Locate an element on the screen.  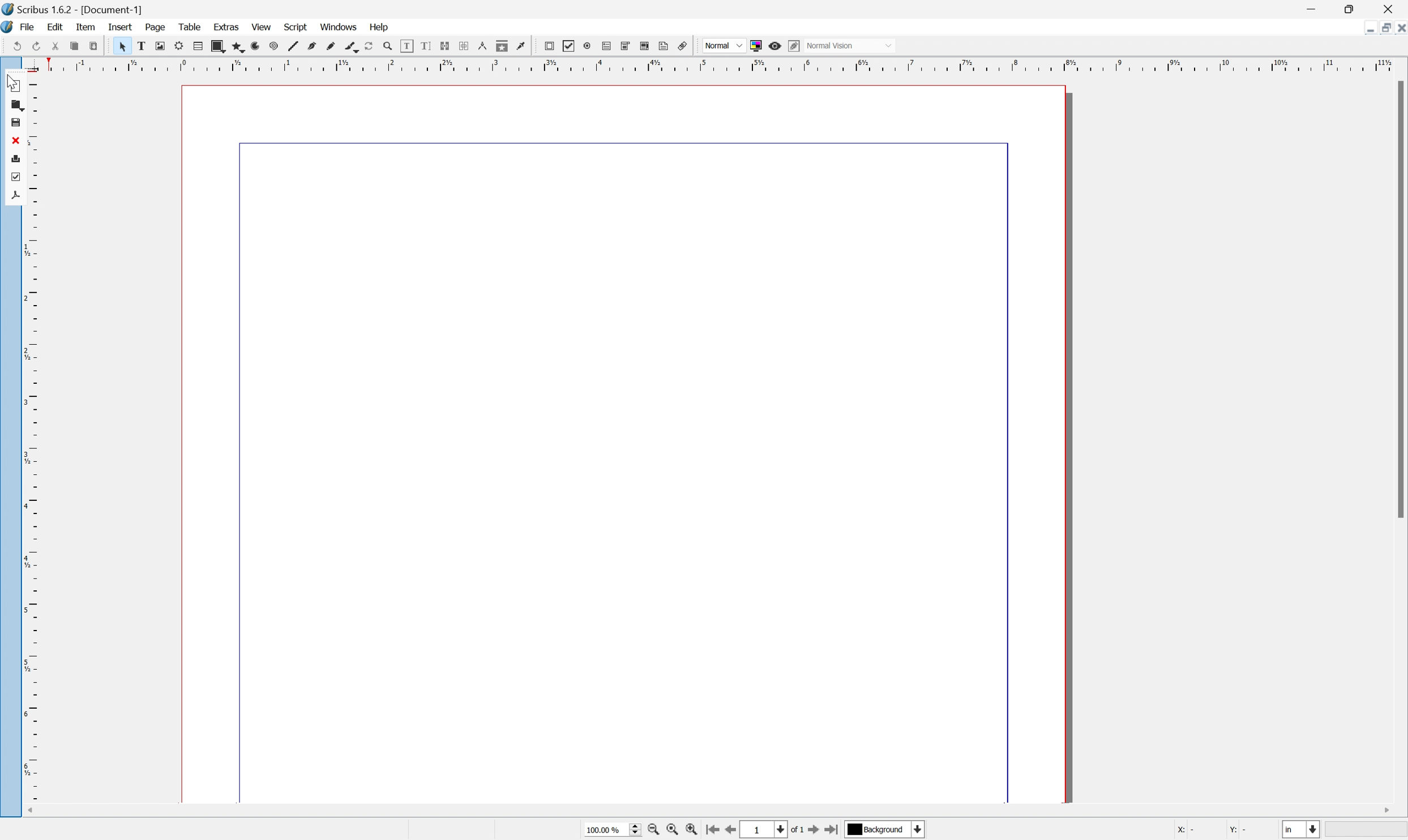
zoom out is located at coordinates (654, 832).